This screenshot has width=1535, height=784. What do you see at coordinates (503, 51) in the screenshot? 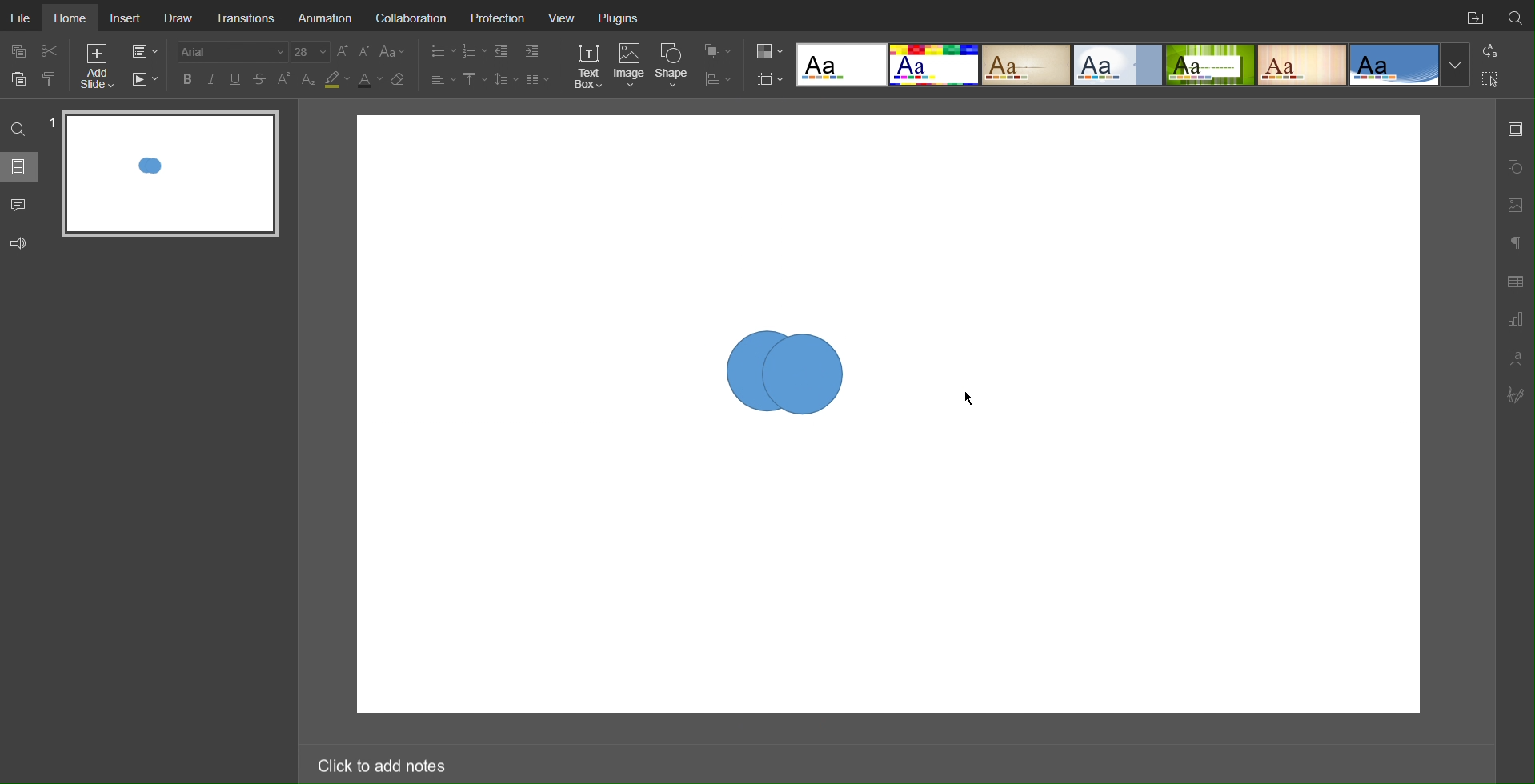
I see `Decrease Indent` at bounding box center [503, 51].